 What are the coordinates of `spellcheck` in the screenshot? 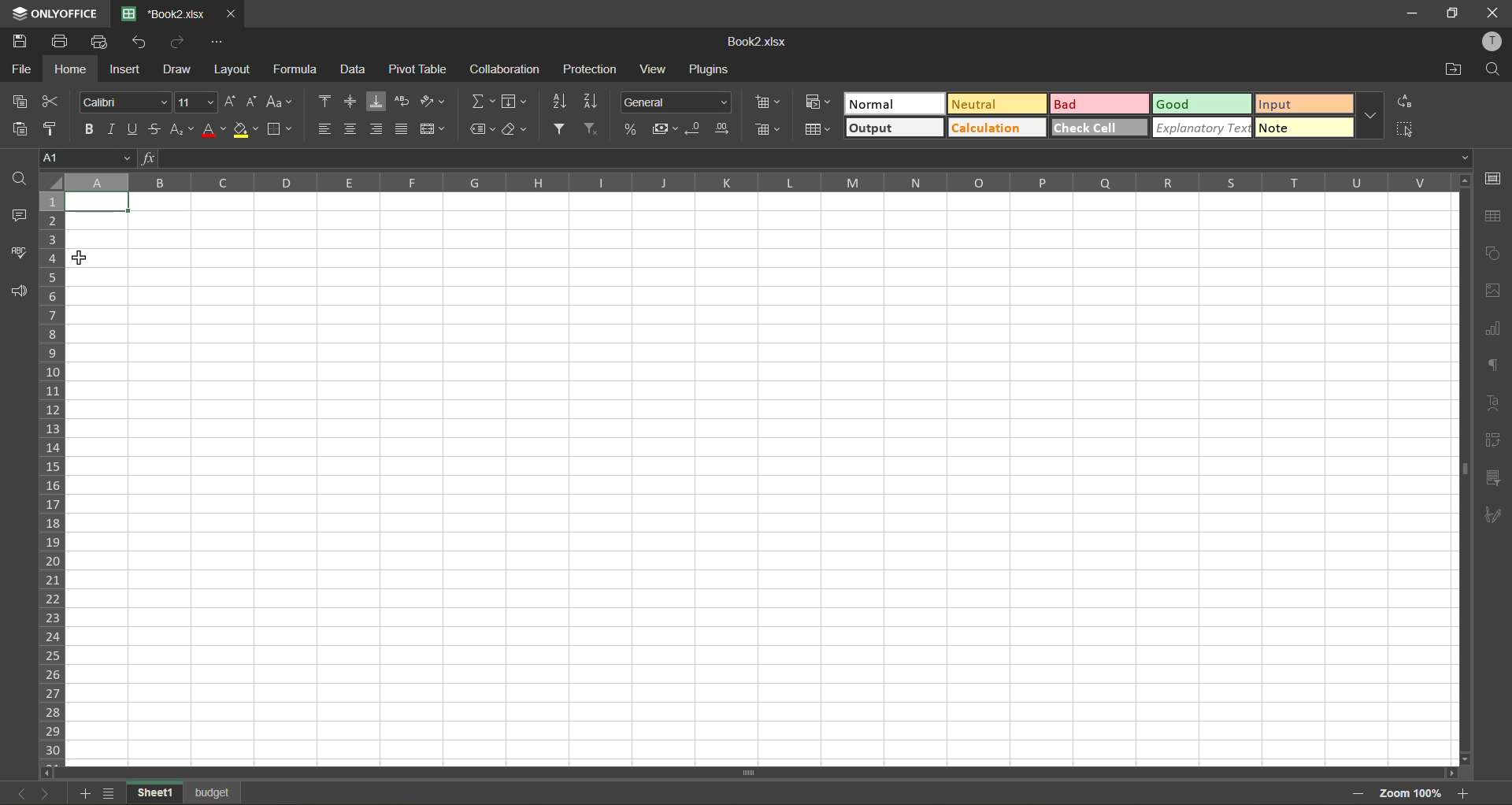 It's located at (17, 253).